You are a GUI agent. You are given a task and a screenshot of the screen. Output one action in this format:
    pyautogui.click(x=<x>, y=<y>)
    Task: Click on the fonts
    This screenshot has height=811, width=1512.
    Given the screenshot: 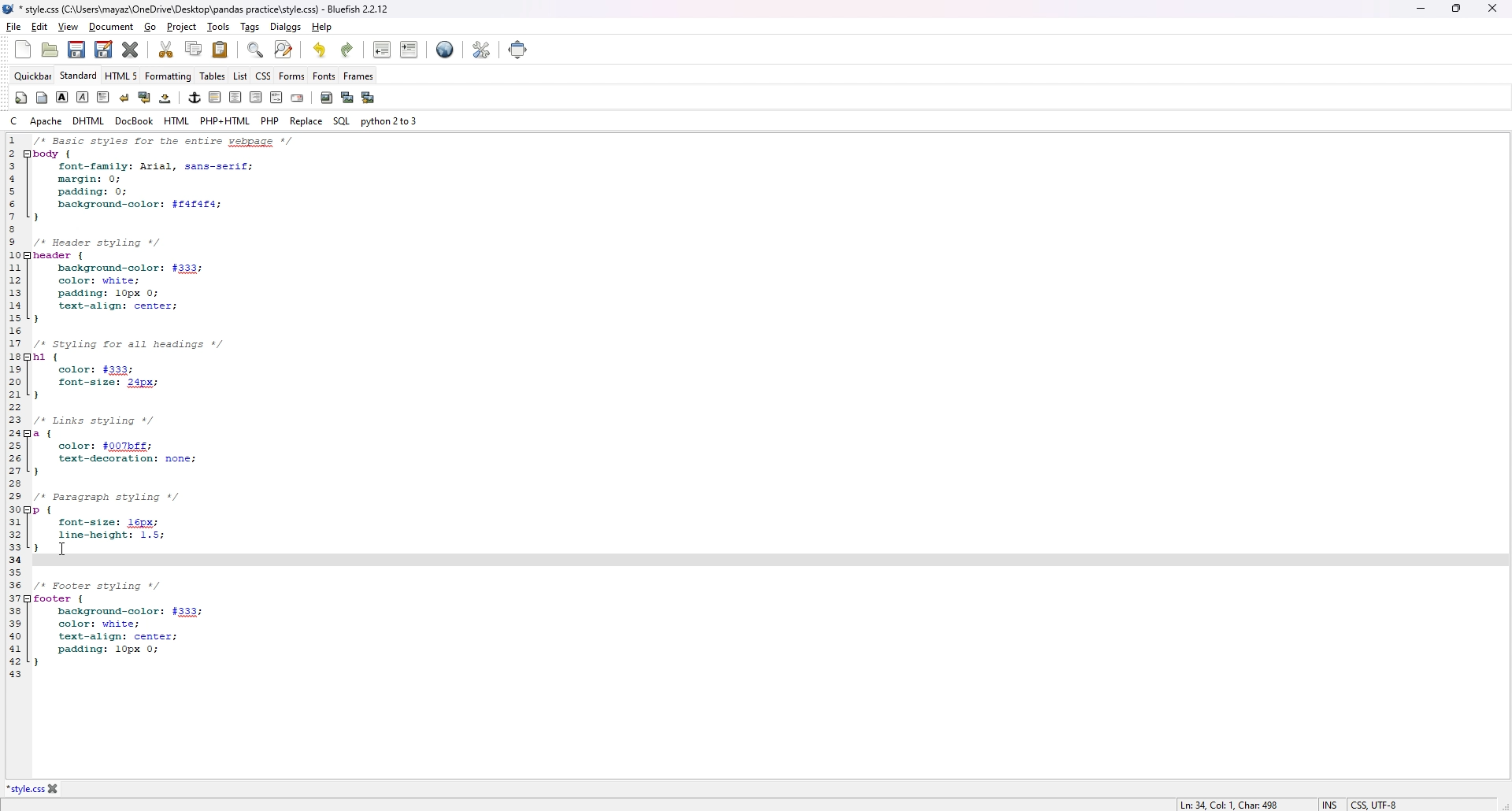 What is the action you would take?
    pyautogui.click(x=324, y=76)
    